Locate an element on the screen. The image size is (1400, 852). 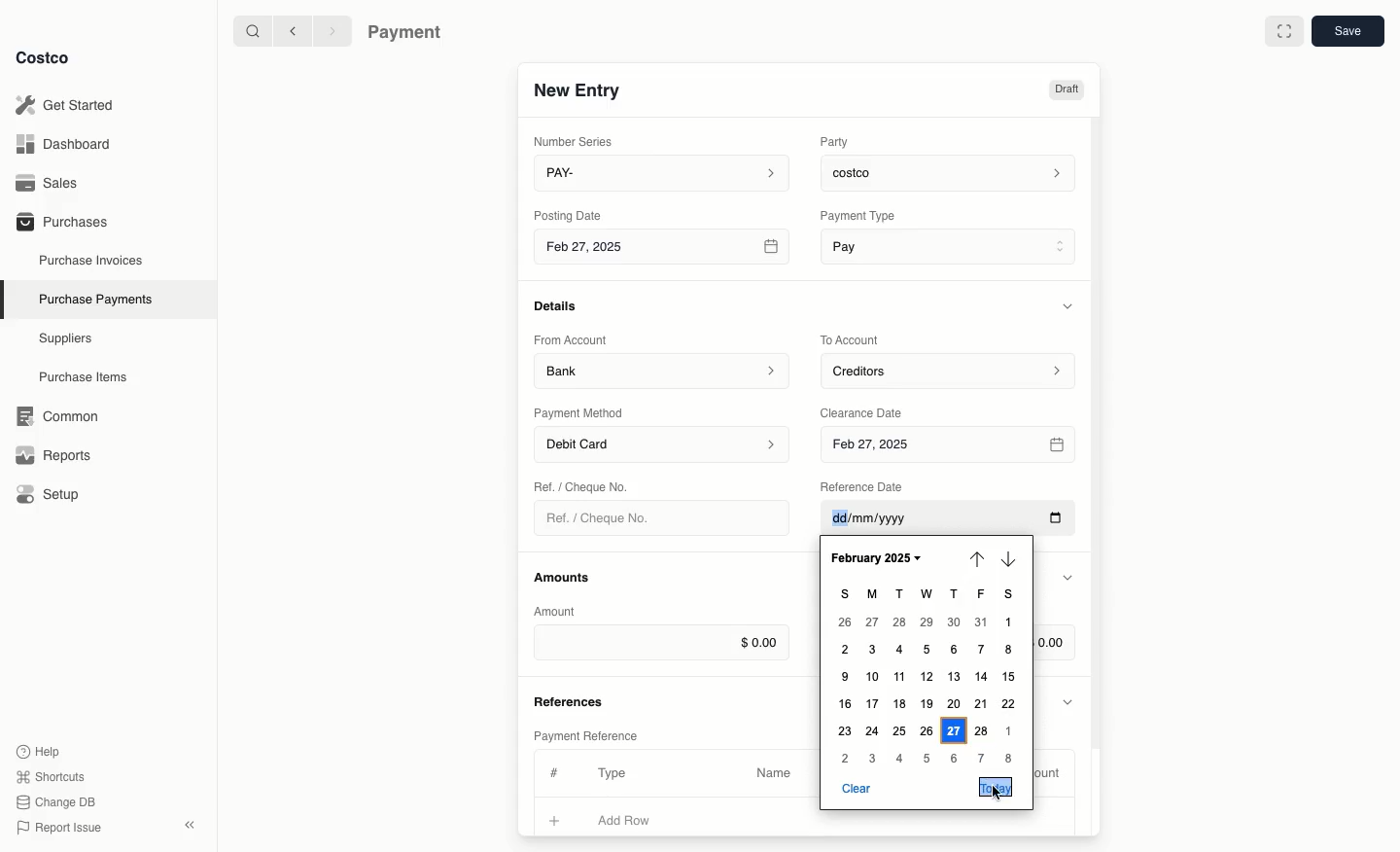
To Account is located at coordinates (852, 339).